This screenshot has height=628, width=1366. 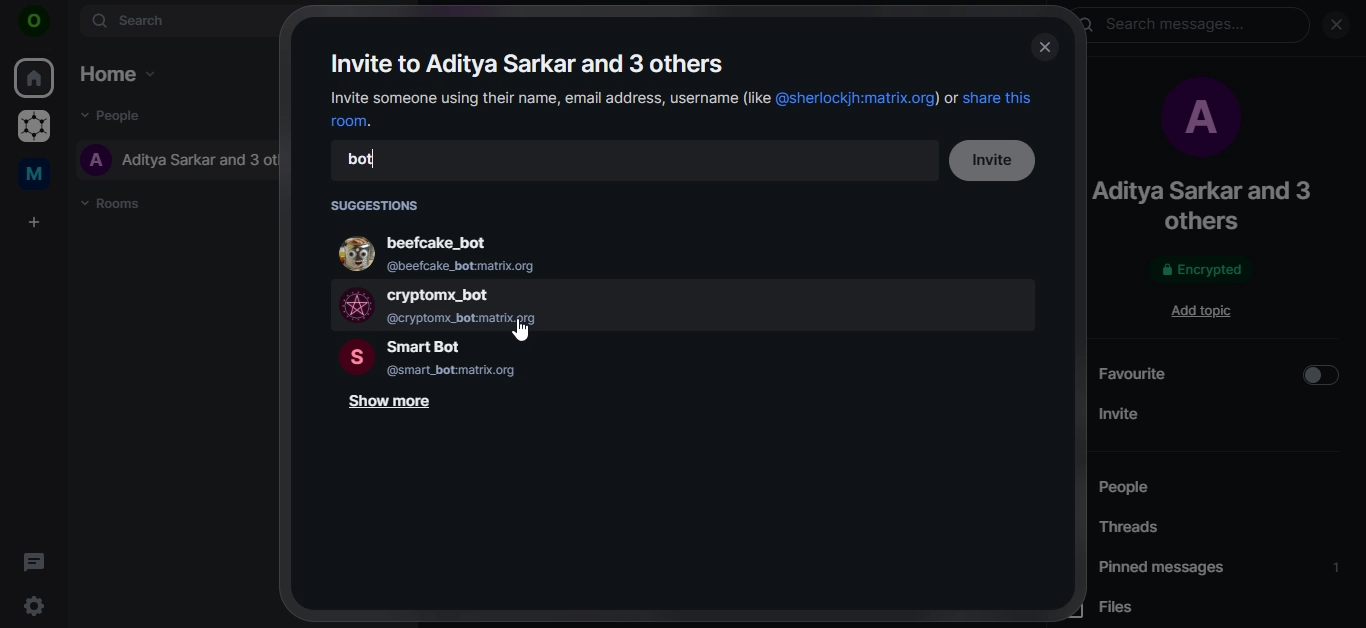 I want to click on invite, so click(x=998, y=161).